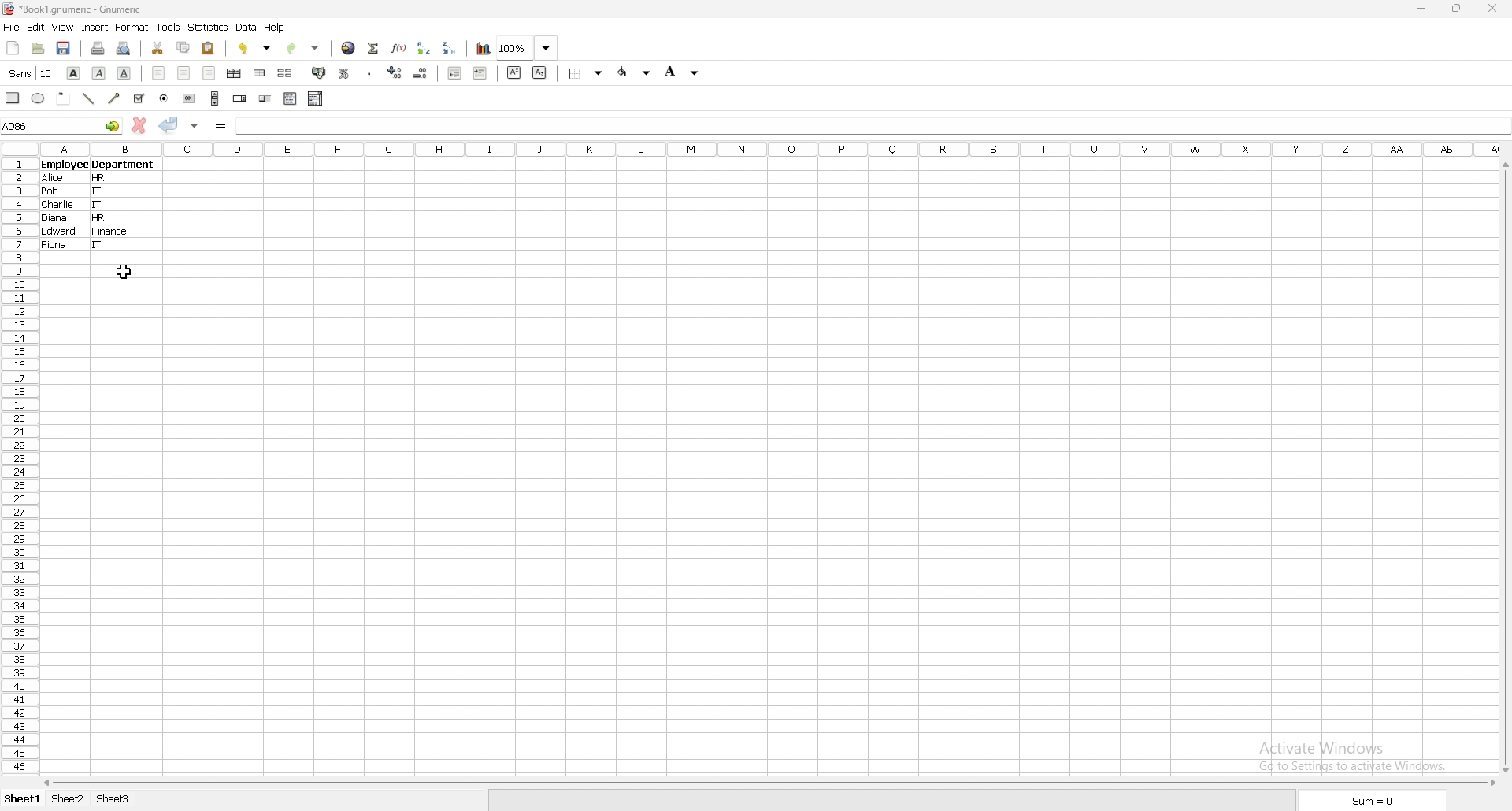  Describe the element at coordinates (69, 799) in the screenshot. I see `sheet 2` at that location.